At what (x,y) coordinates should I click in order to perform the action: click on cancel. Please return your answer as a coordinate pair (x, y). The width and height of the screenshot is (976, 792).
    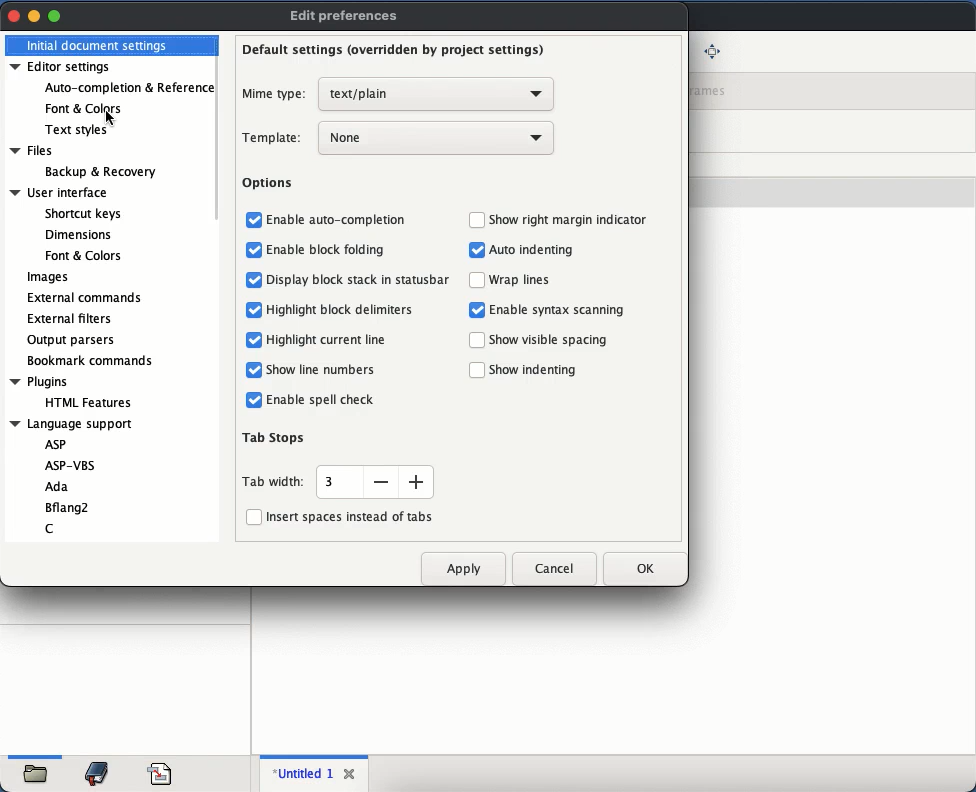
    Looking at the image, I should click on (555, 566).